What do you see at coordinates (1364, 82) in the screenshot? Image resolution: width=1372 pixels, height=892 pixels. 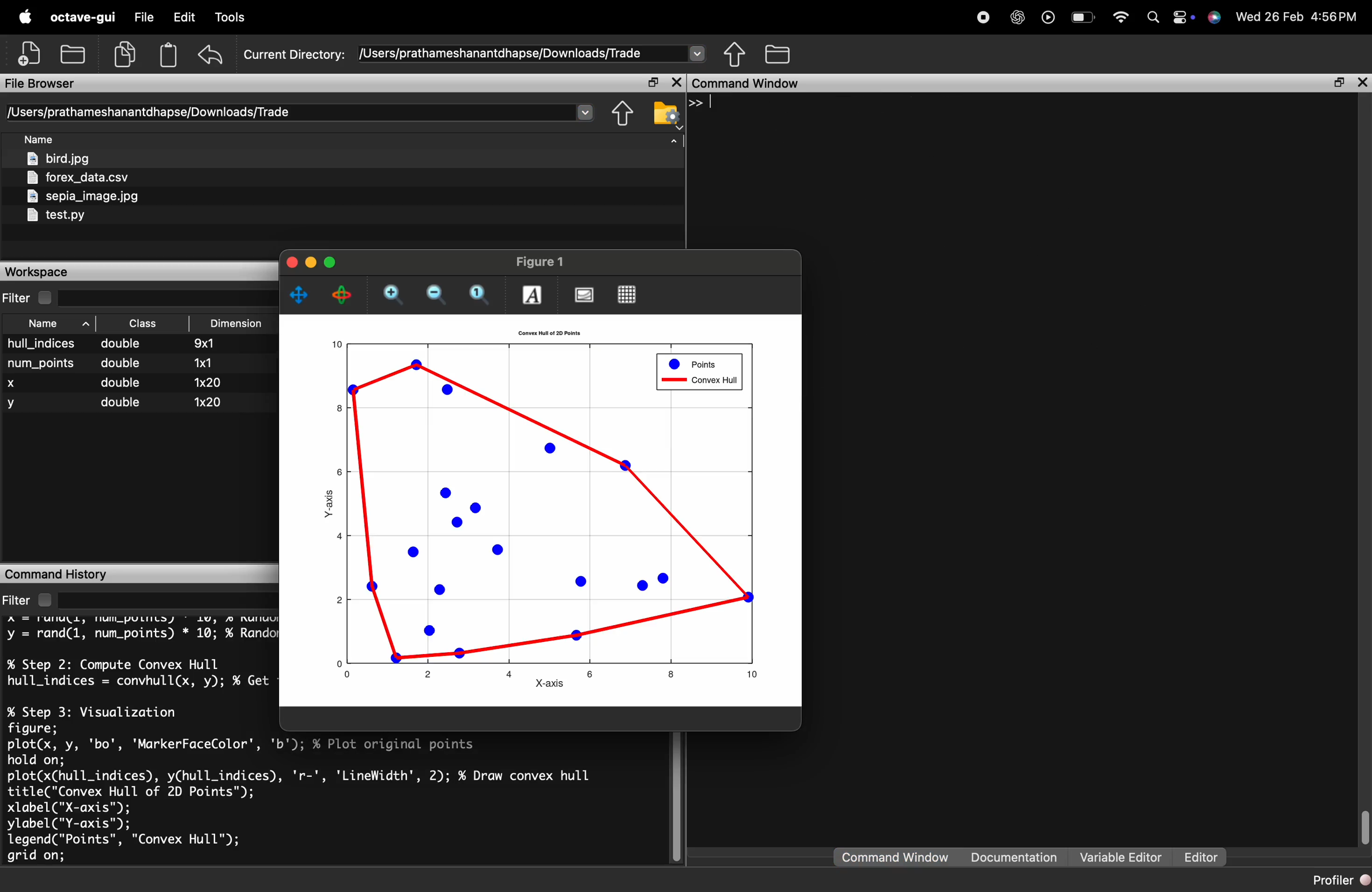 I see `close` at bounding box center [1364, 82].